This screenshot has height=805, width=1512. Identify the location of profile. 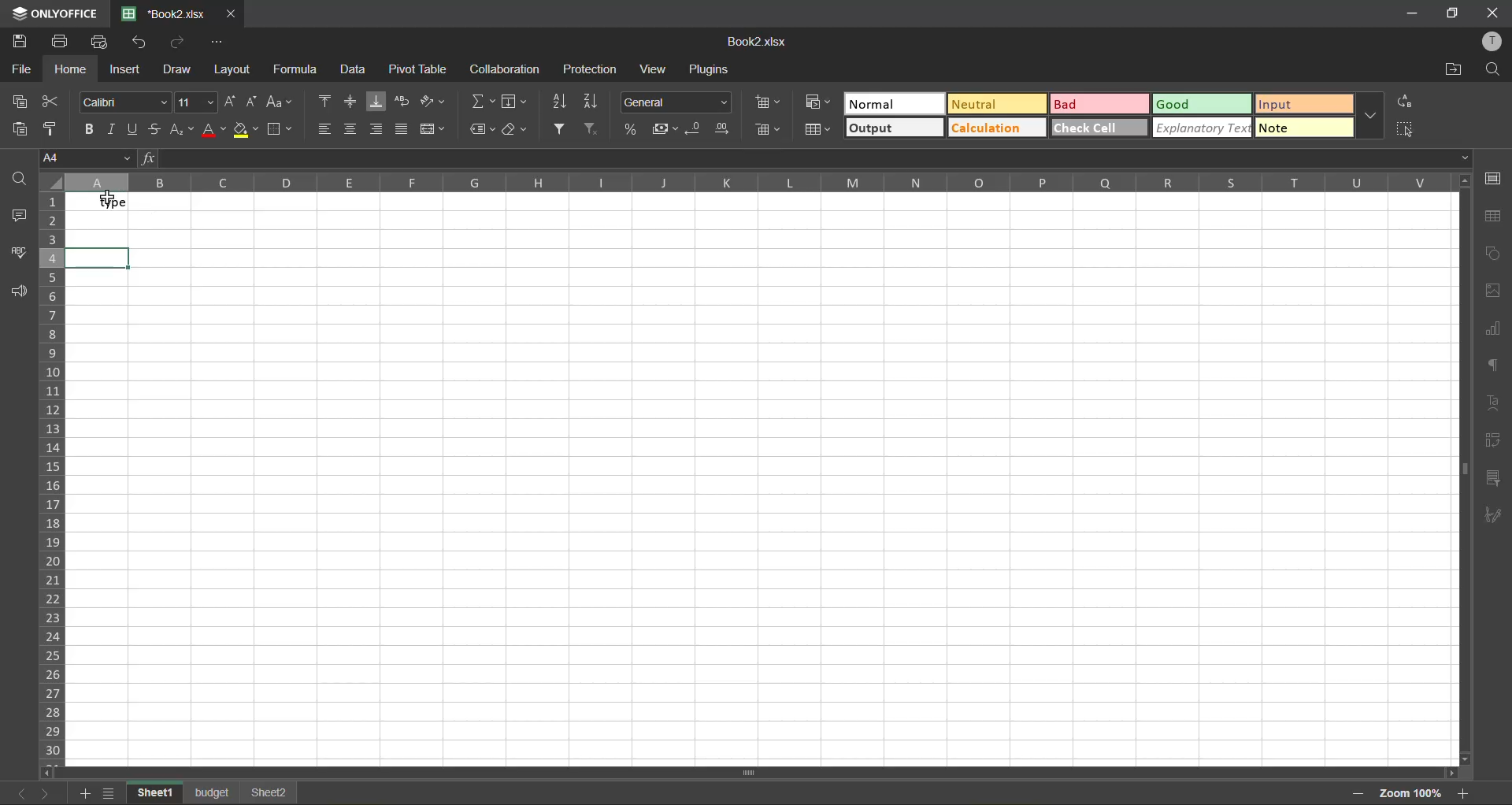
(1488, 43).